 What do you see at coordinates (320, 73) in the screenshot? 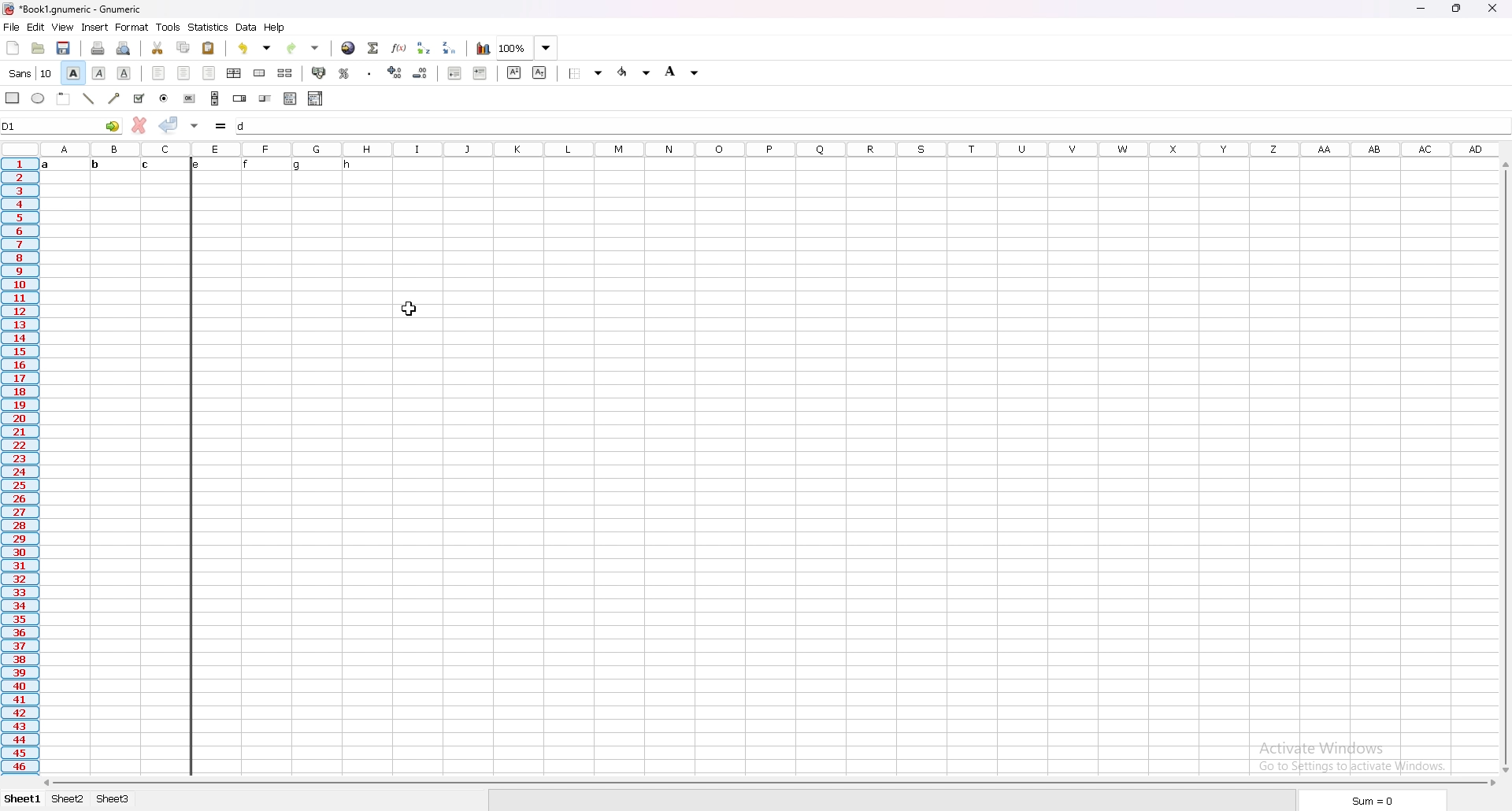
I see `accounting` at bounding box center [320, 73].